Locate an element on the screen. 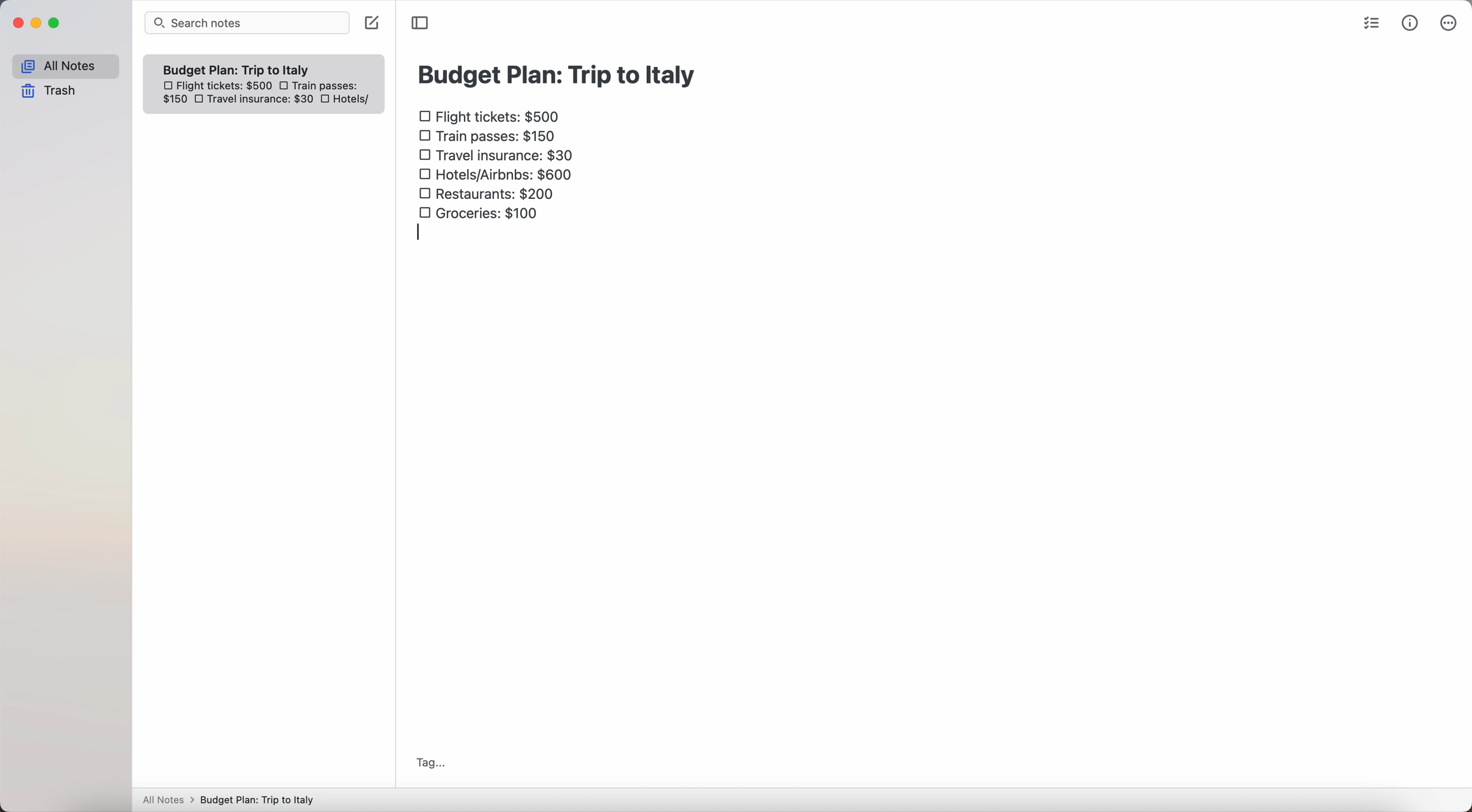 The width and height of the screenshot is (1472, 812). checkbox is located at coordinates (329, 100).